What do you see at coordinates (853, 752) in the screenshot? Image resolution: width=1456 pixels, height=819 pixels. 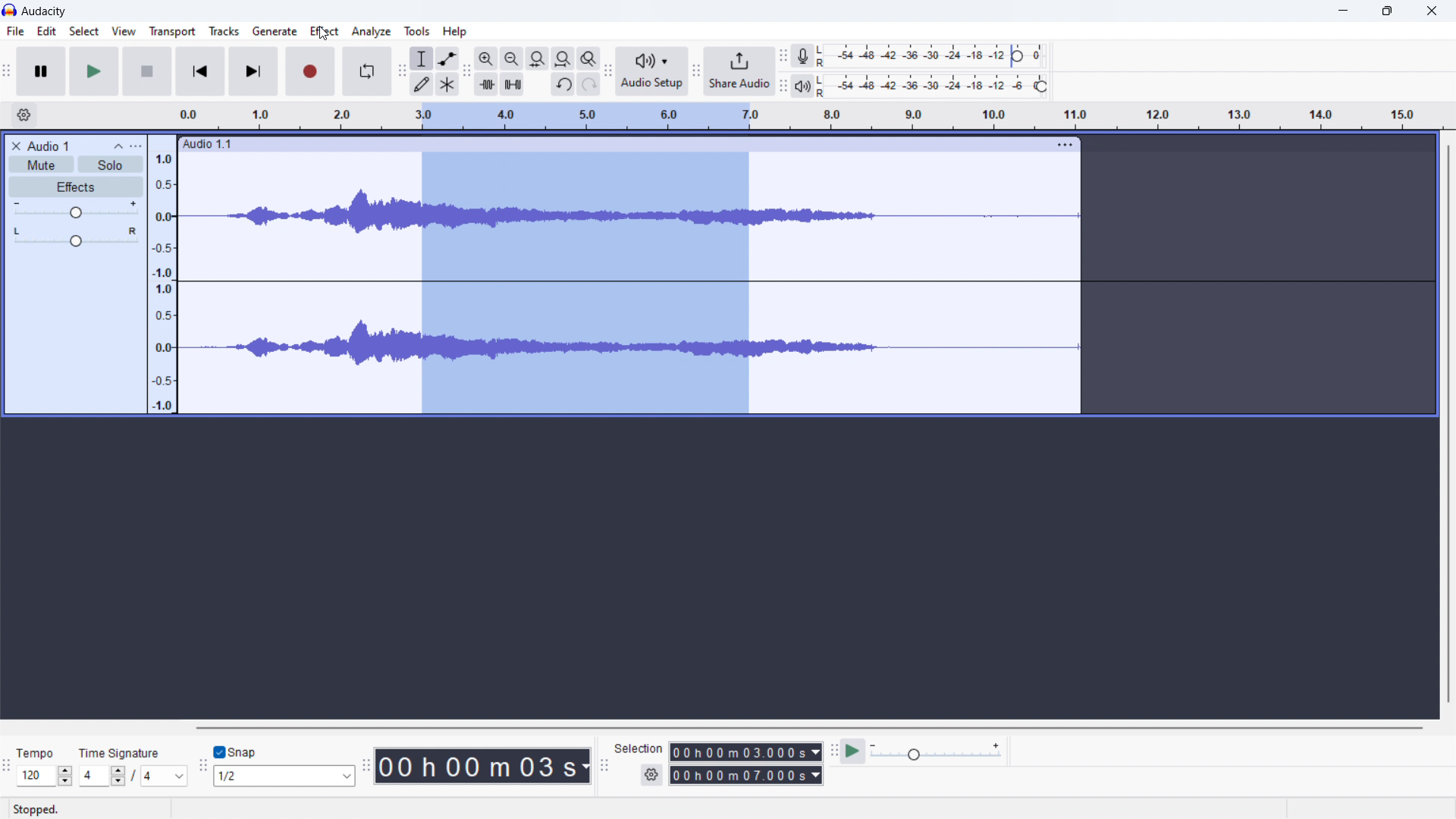 I see `play at speed` at bounding box center [853, 752].